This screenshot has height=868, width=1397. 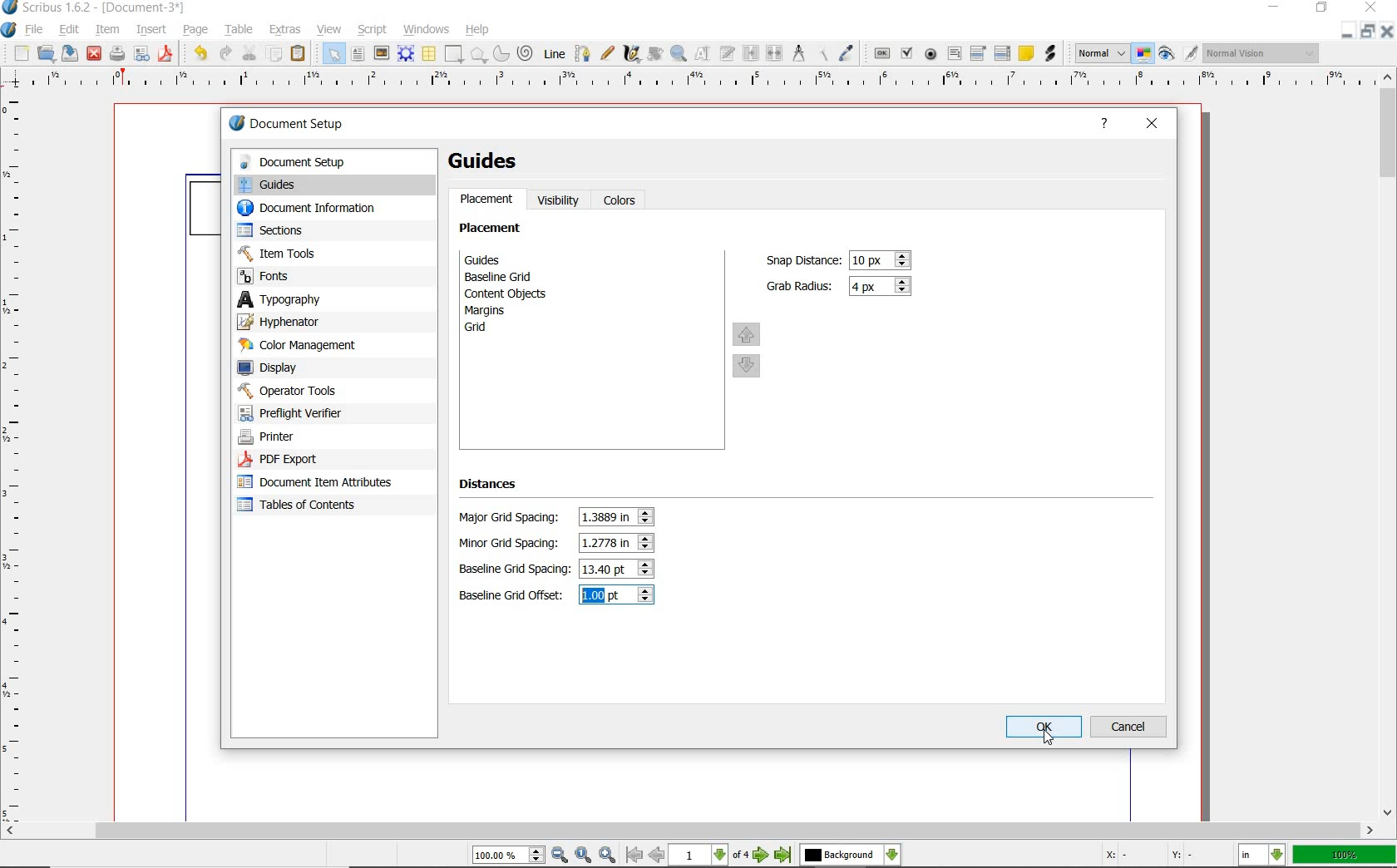 What do you see at coordinates (514, 544) in the screenshot?
I see `Minor Grid Spacing:` at bounding box center [514, 544].